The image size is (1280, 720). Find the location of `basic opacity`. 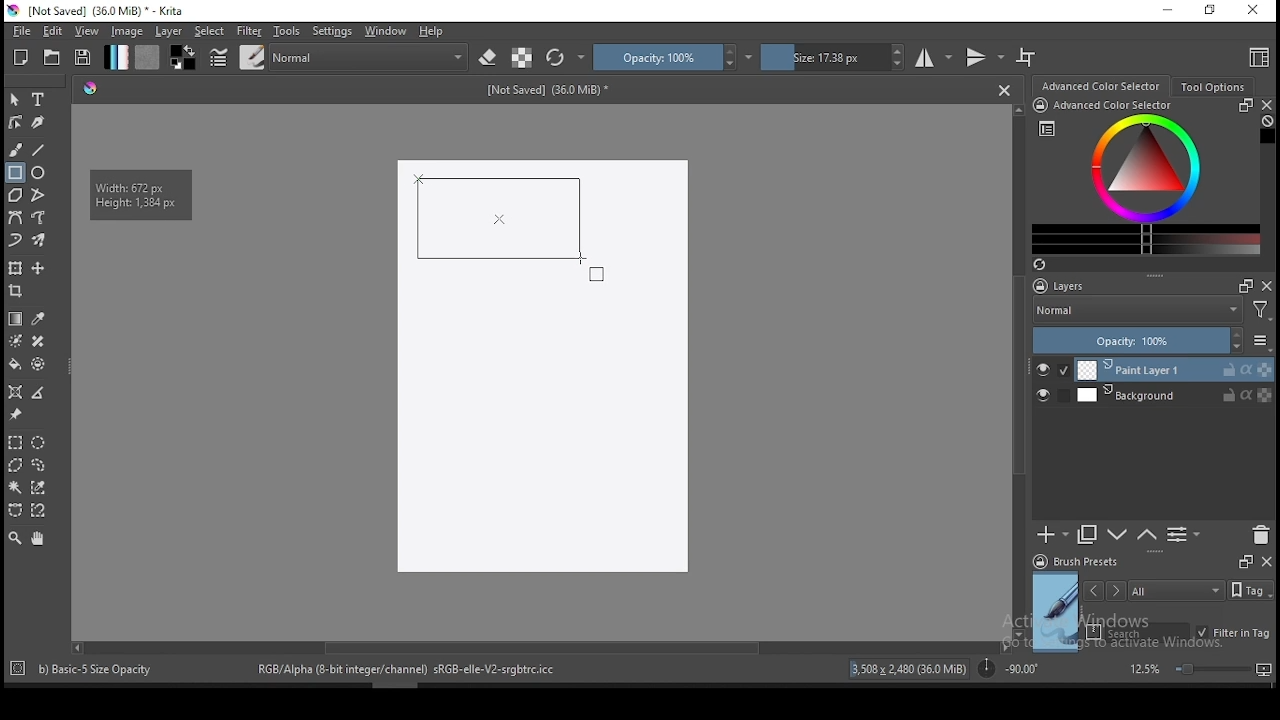

basic opacity is located at coordinates (427, 669).